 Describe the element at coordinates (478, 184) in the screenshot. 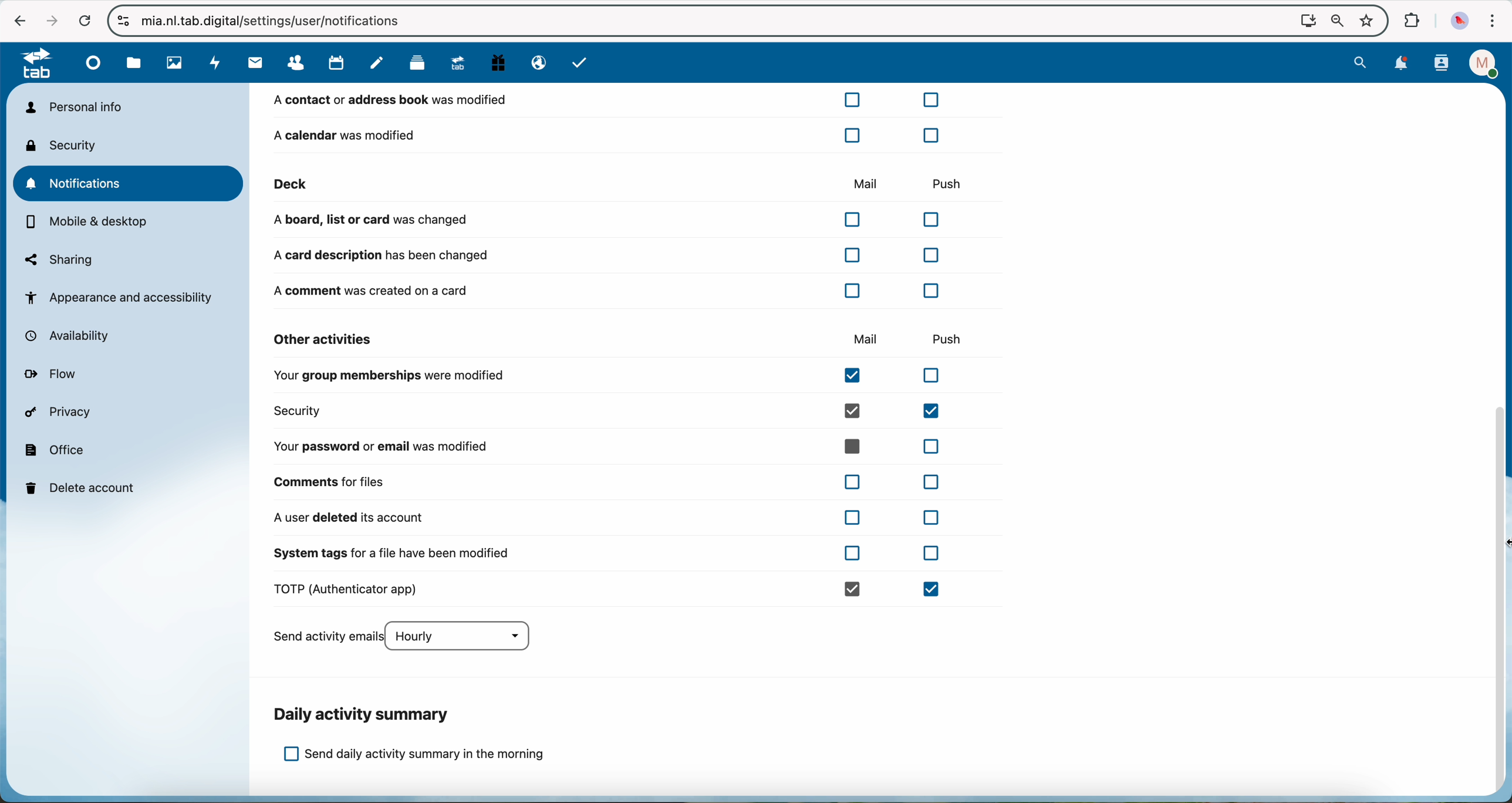

I see `deck` at that location.